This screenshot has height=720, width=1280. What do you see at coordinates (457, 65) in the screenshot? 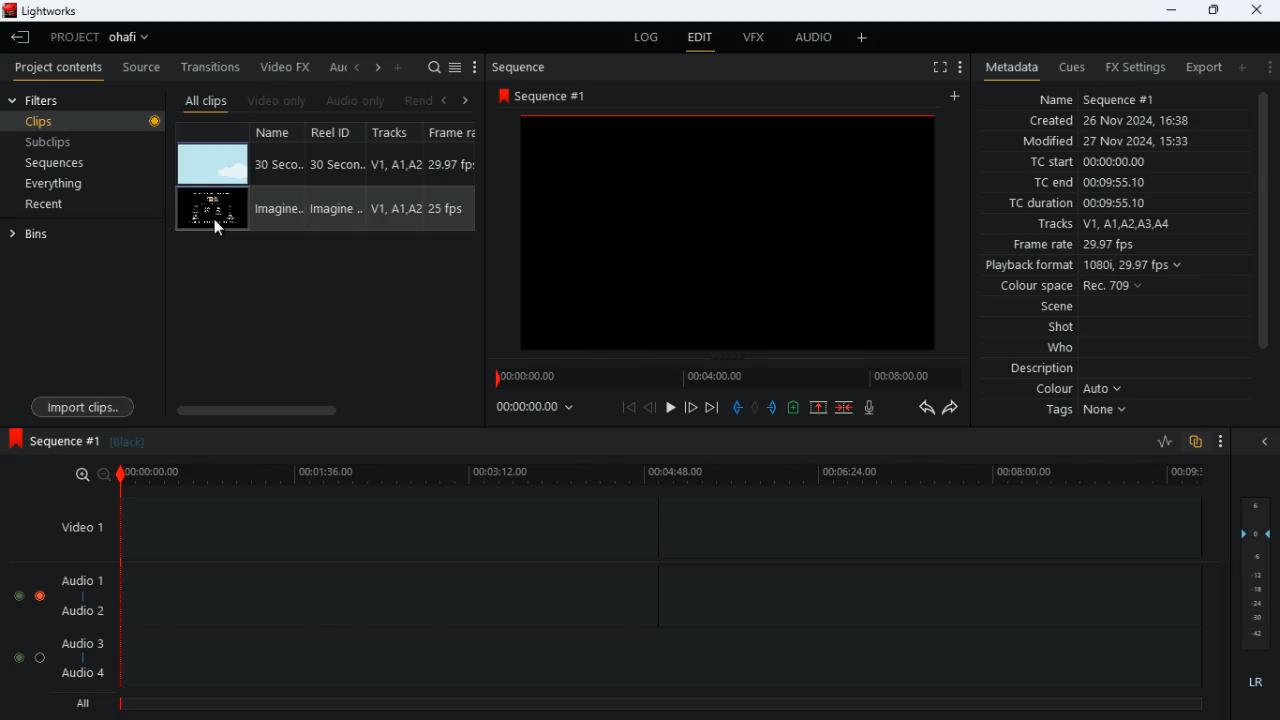
I see `menu` at bounding box center [457, 65].